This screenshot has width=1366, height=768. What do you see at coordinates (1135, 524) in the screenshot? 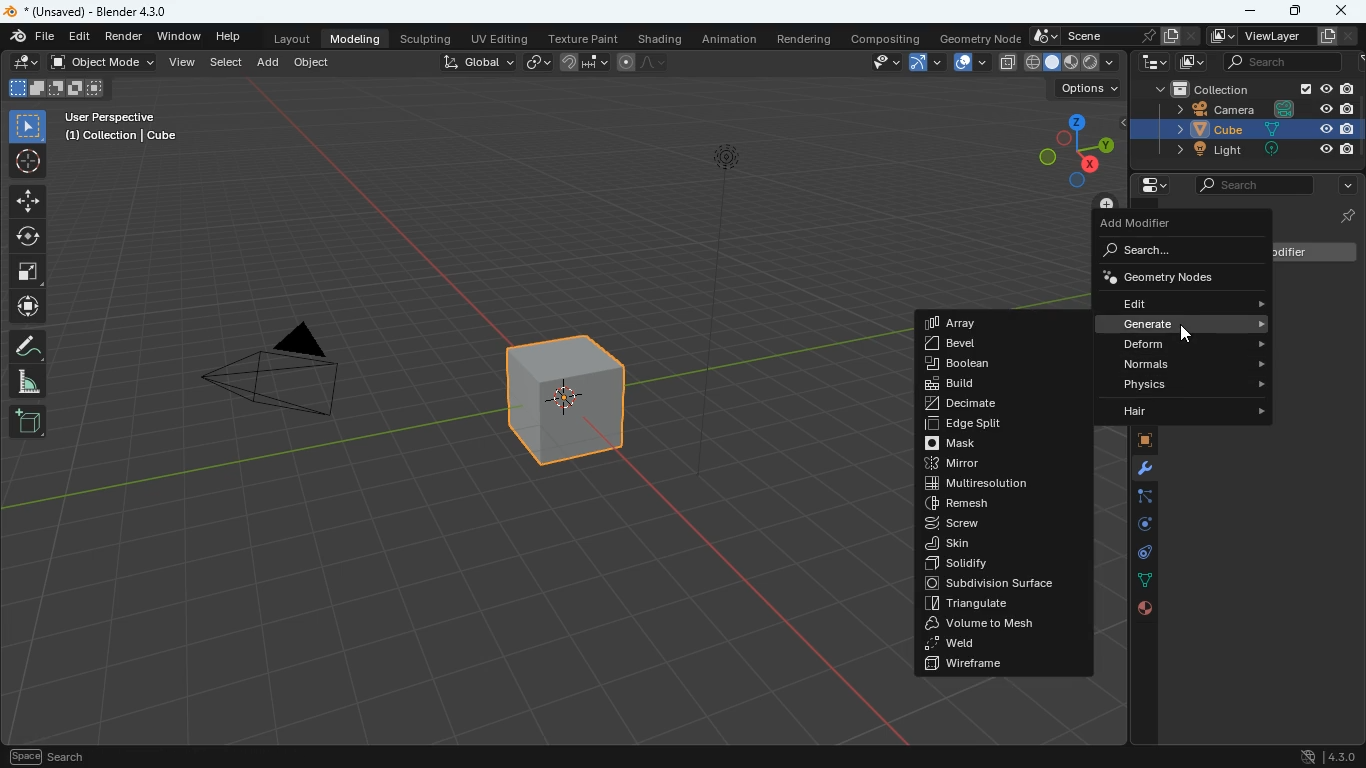
I see `rotate` at bounding box center [1135, 524].